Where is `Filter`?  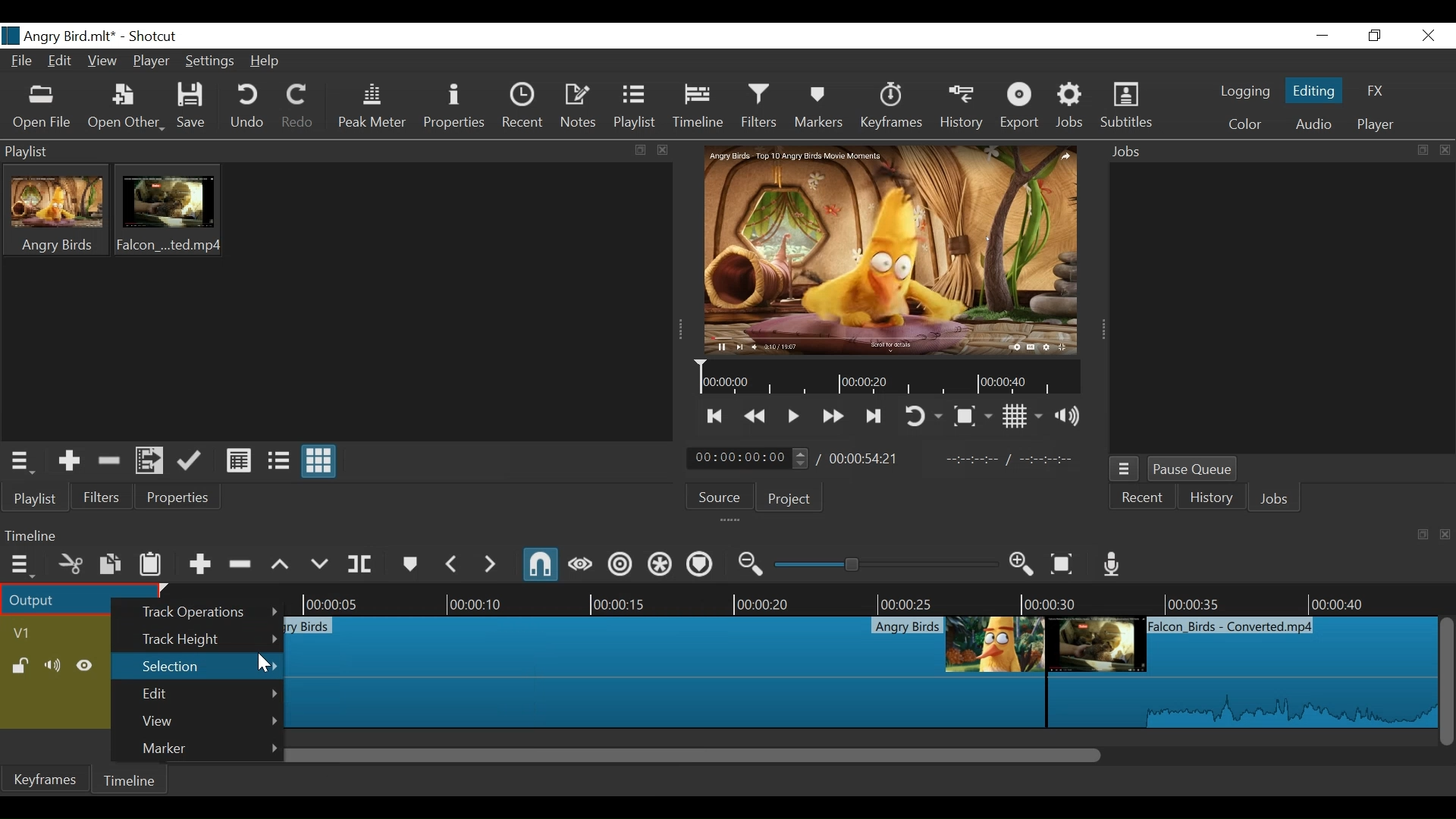 Filter is located at coordinates (102, 497).